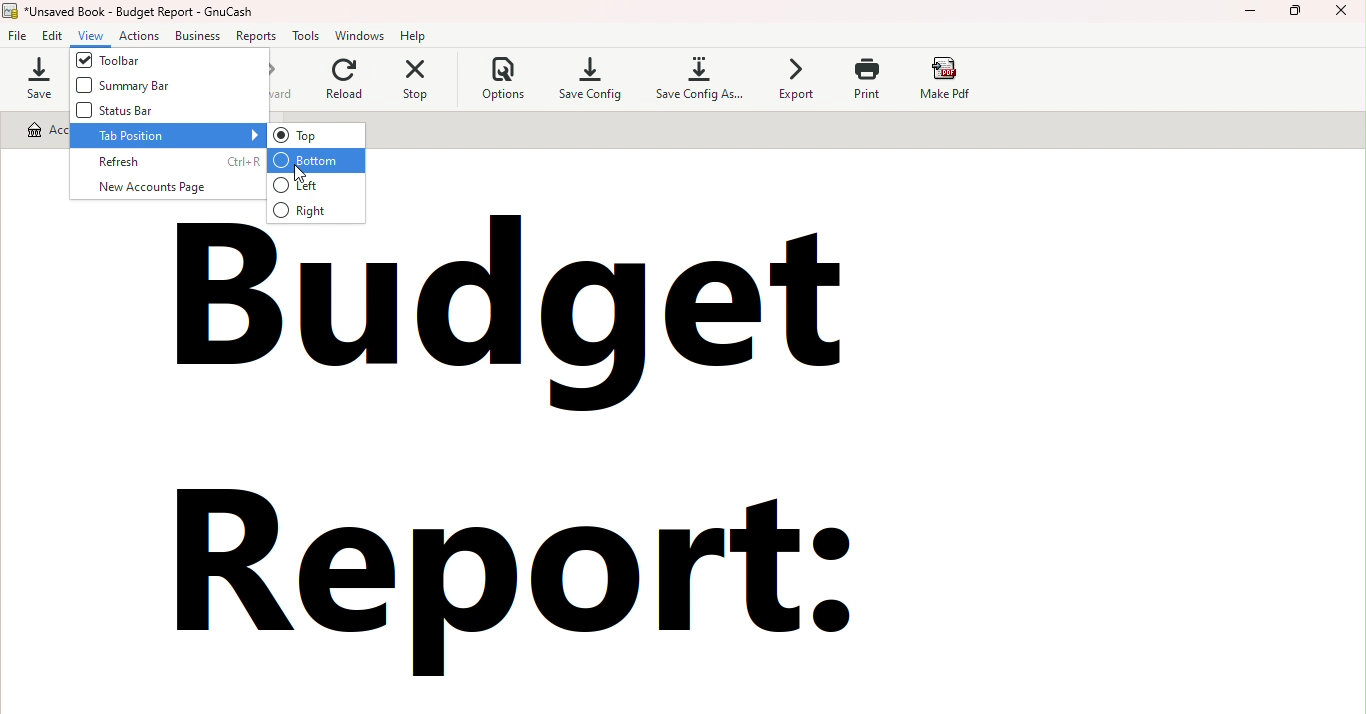 This screenshot has height=714, width=1366. I want to click on Maximize, so click(1297, 16).